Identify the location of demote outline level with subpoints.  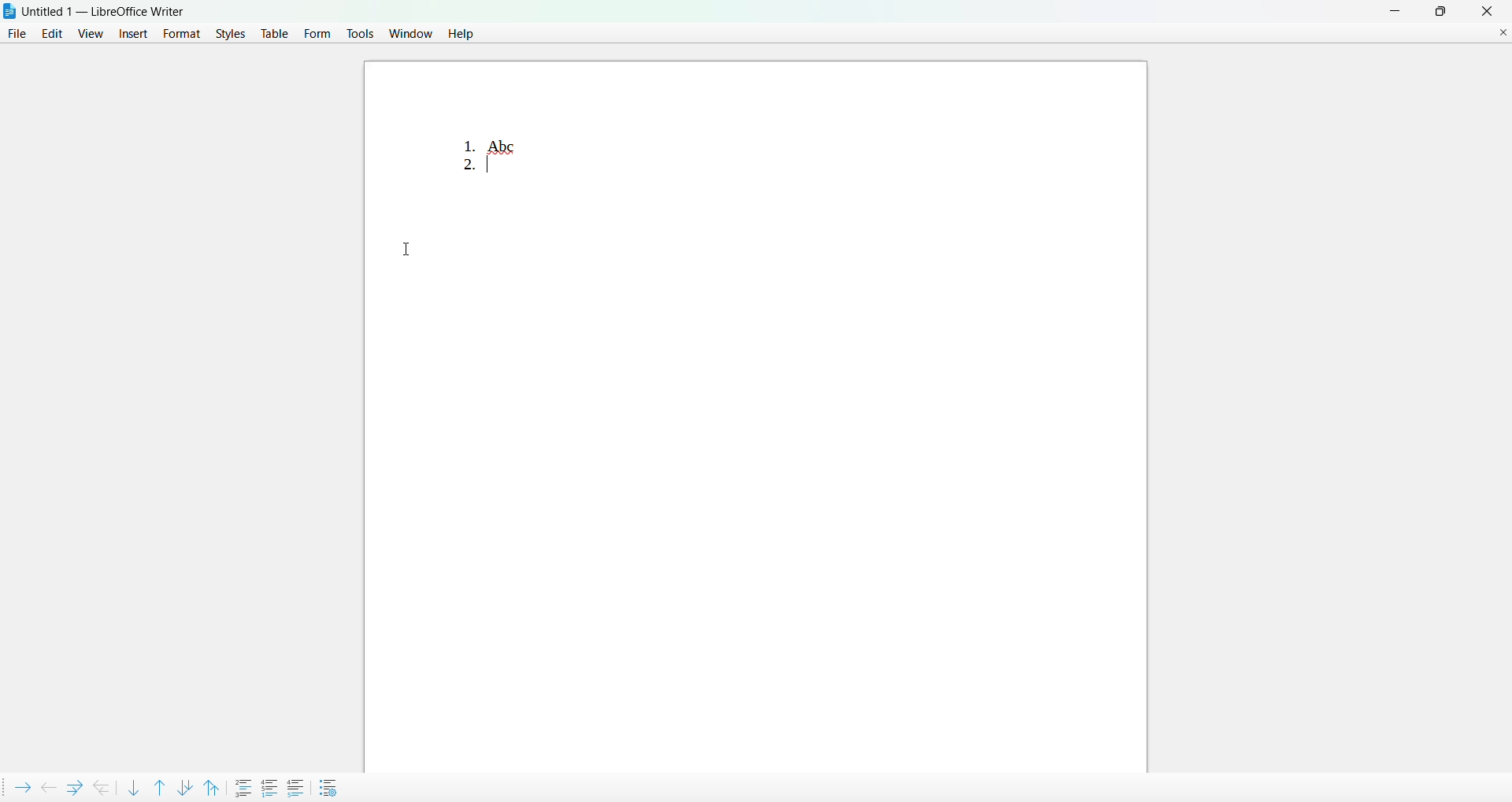
(72, 786).